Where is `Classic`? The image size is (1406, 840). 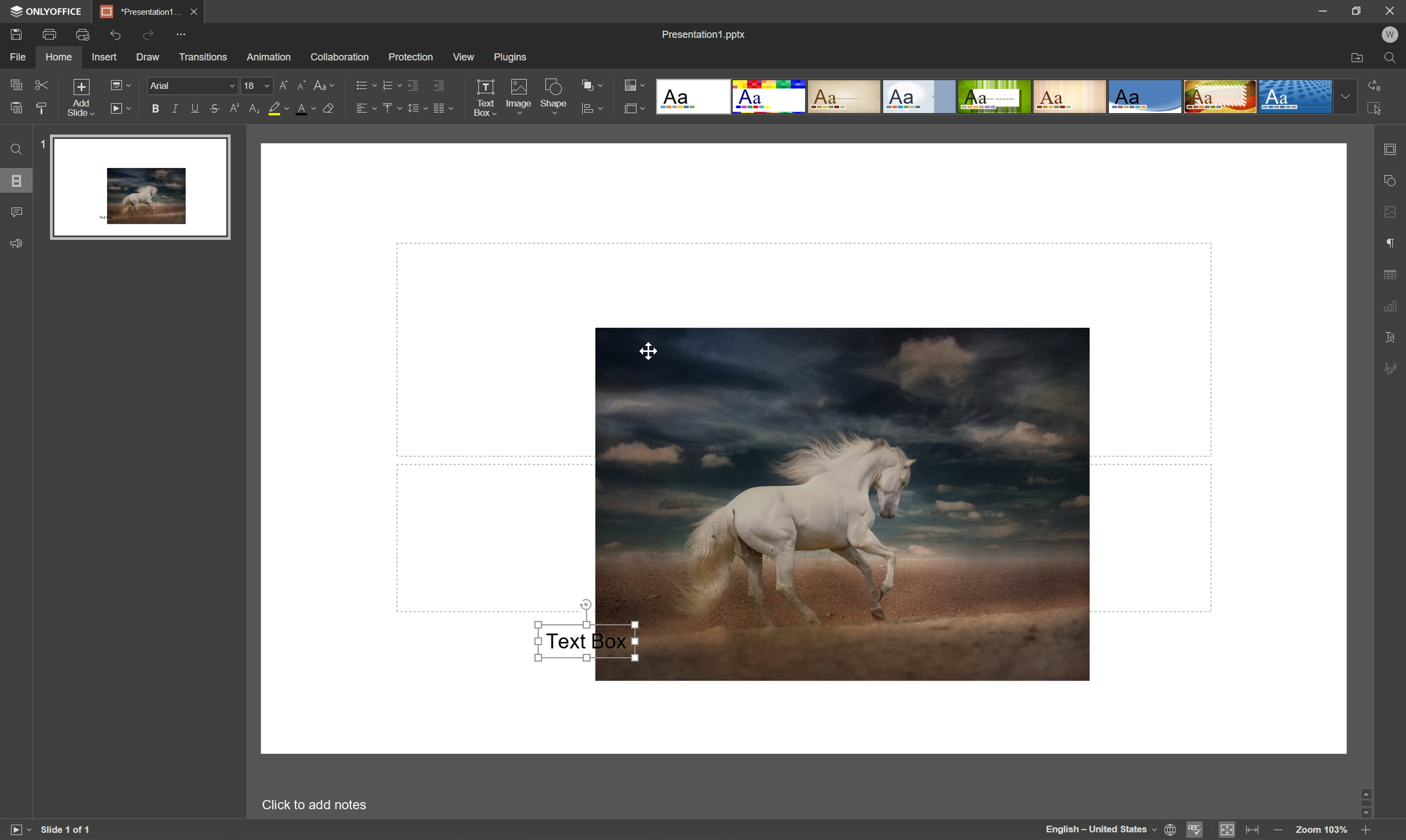
Classic is located at coordinates (845, 97).